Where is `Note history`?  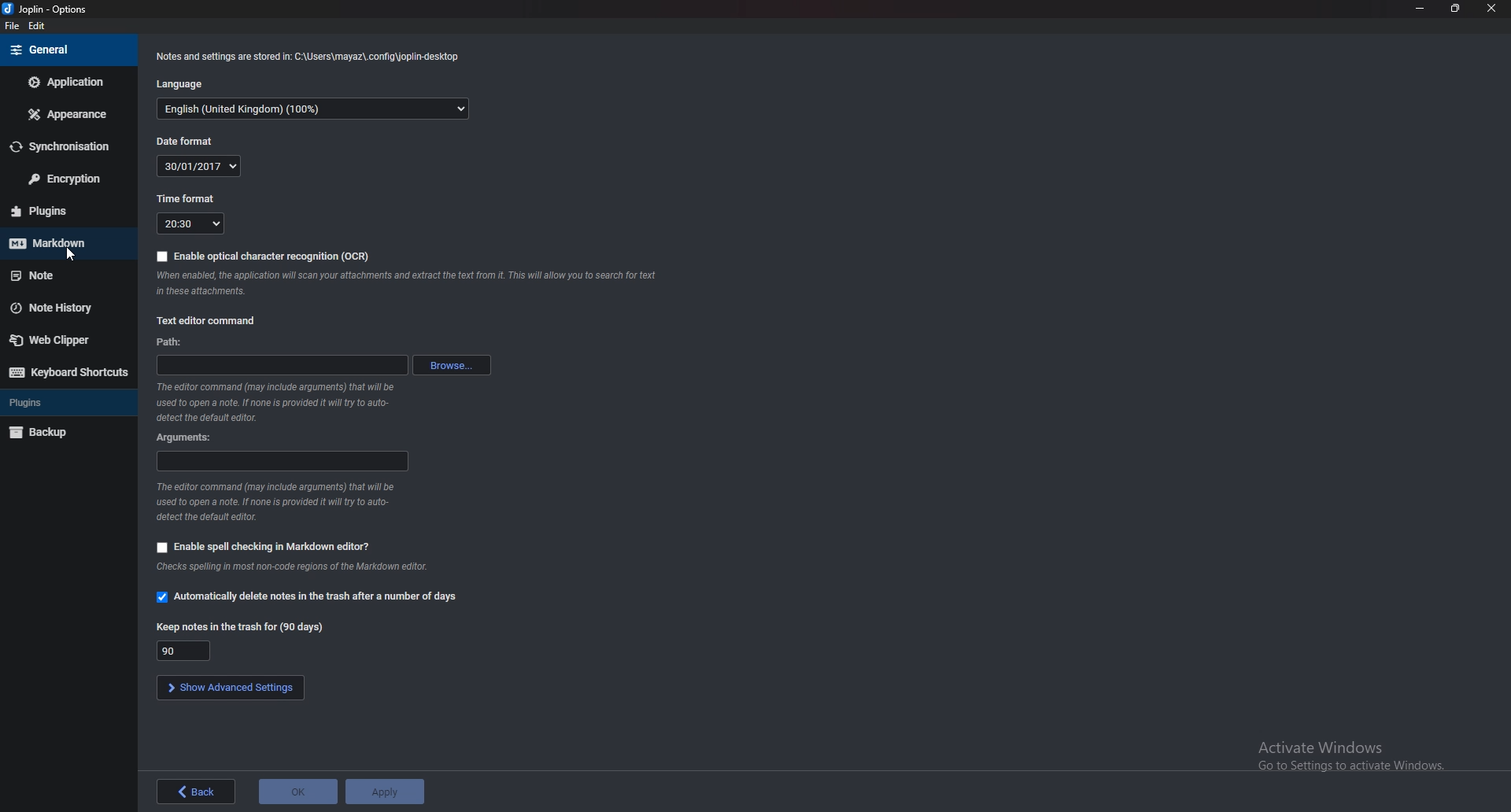
Note history is located at coordinates (67, 308).